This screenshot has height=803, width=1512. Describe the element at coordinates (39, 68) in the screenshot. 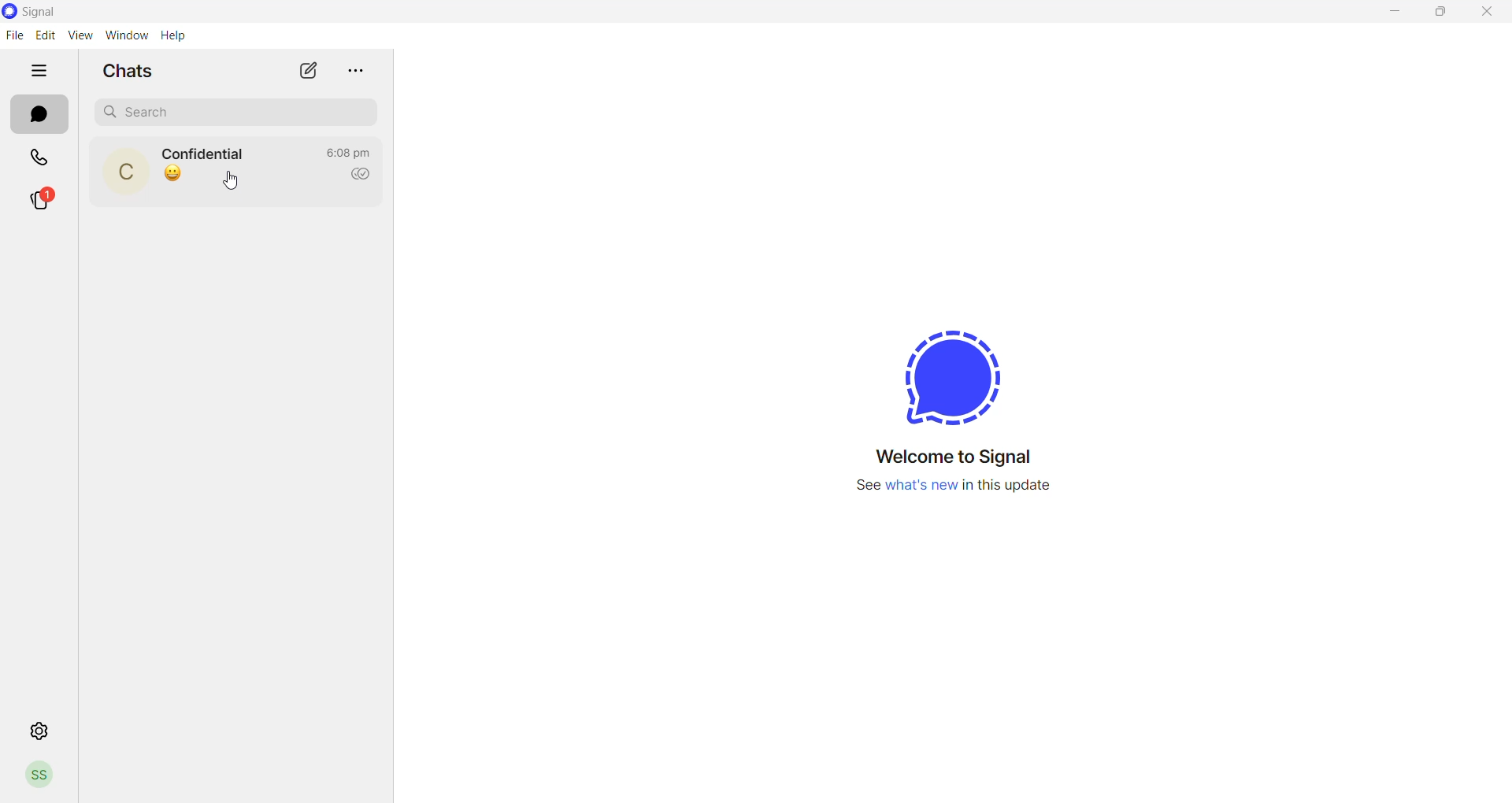

I see `hide` at that location.